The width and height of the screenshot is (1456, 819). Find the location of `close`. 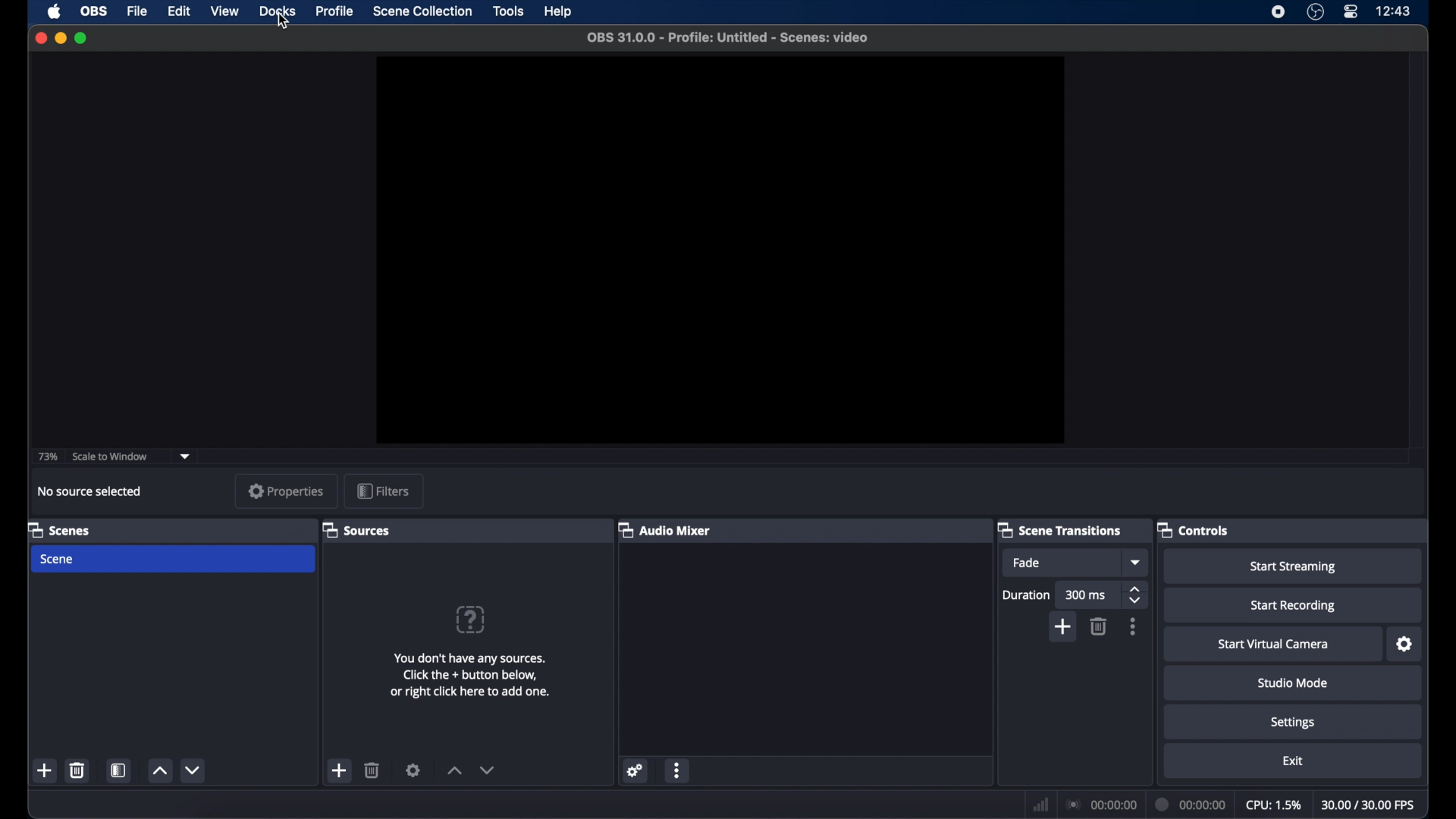

close is located at coordinates (40, 38).